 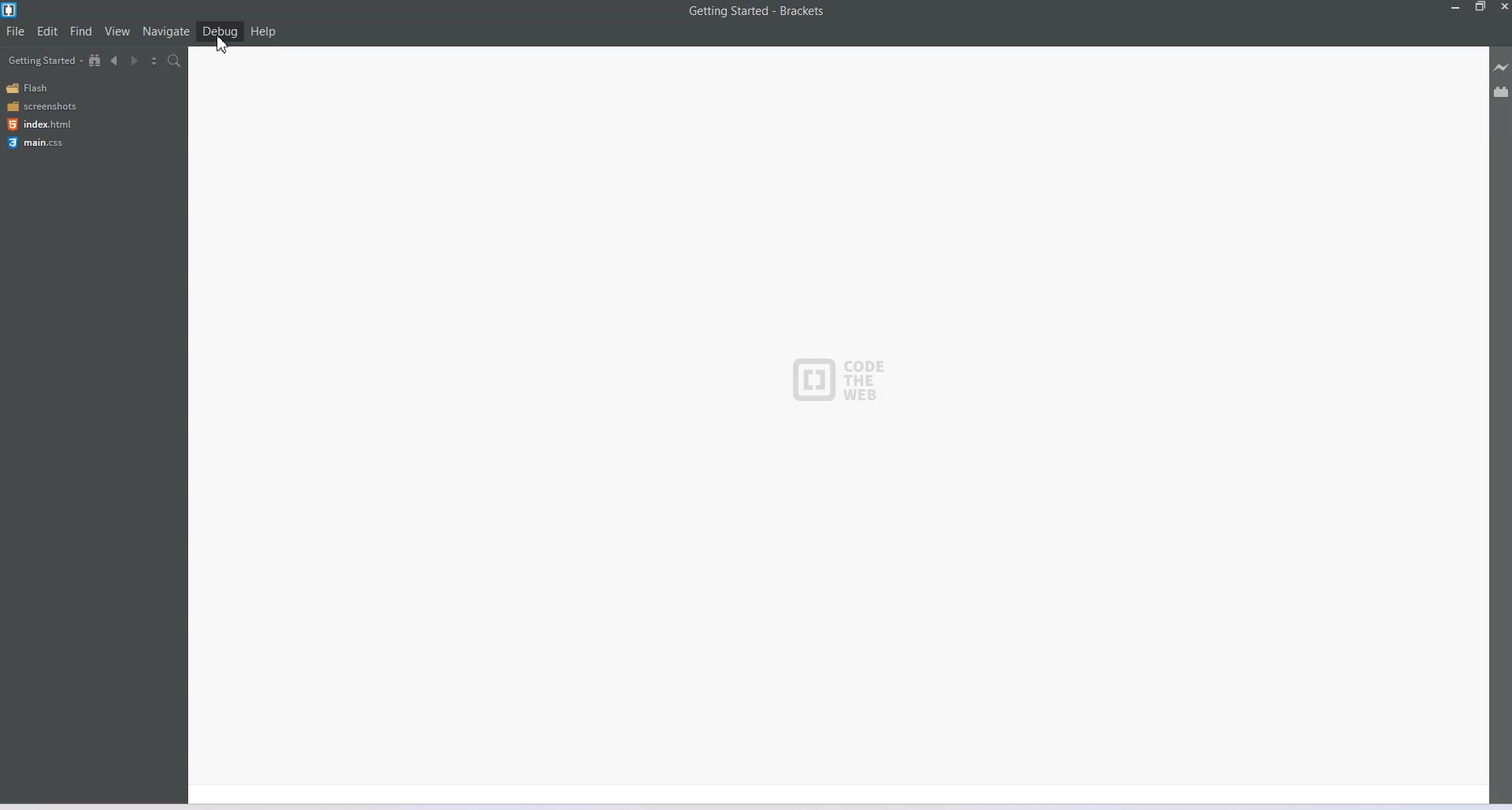 What do you see at coordinates (1503, 9) in the screenshot?
I see `Close` at bounding box center [1503, 9].